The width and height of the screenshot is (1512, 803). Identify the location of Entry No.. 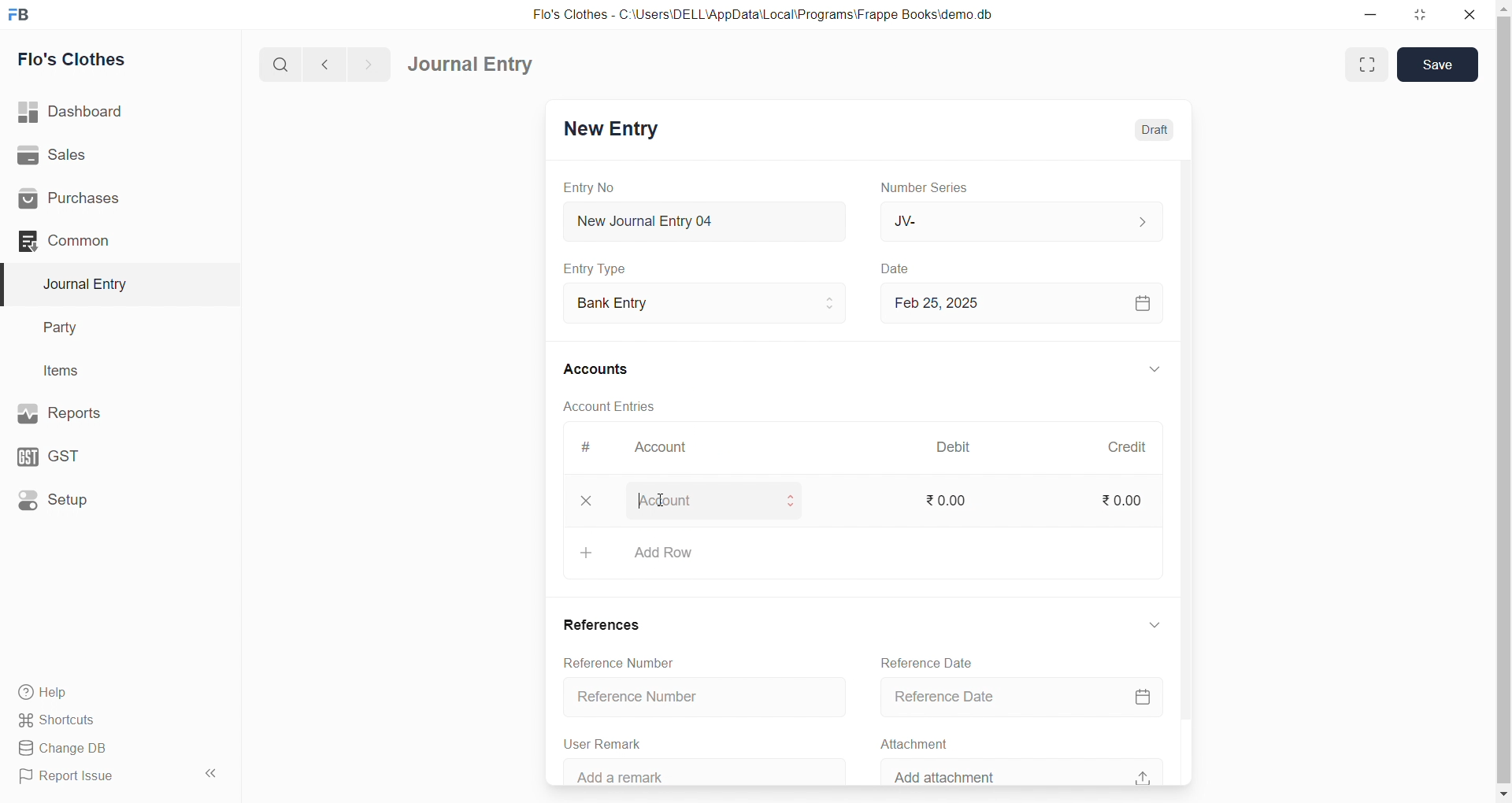
(597, 187).